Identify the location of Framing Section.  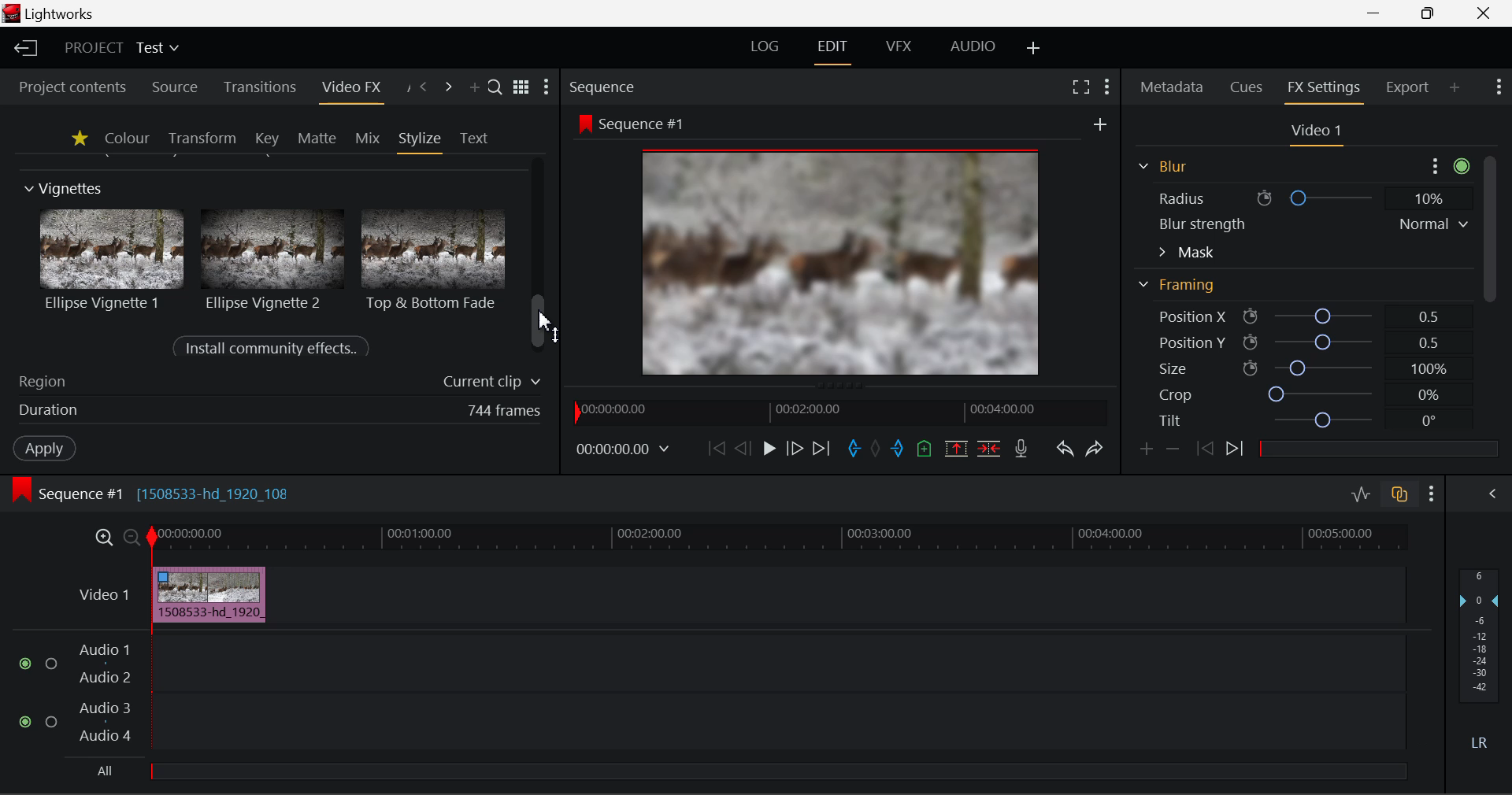
(1182, 290).